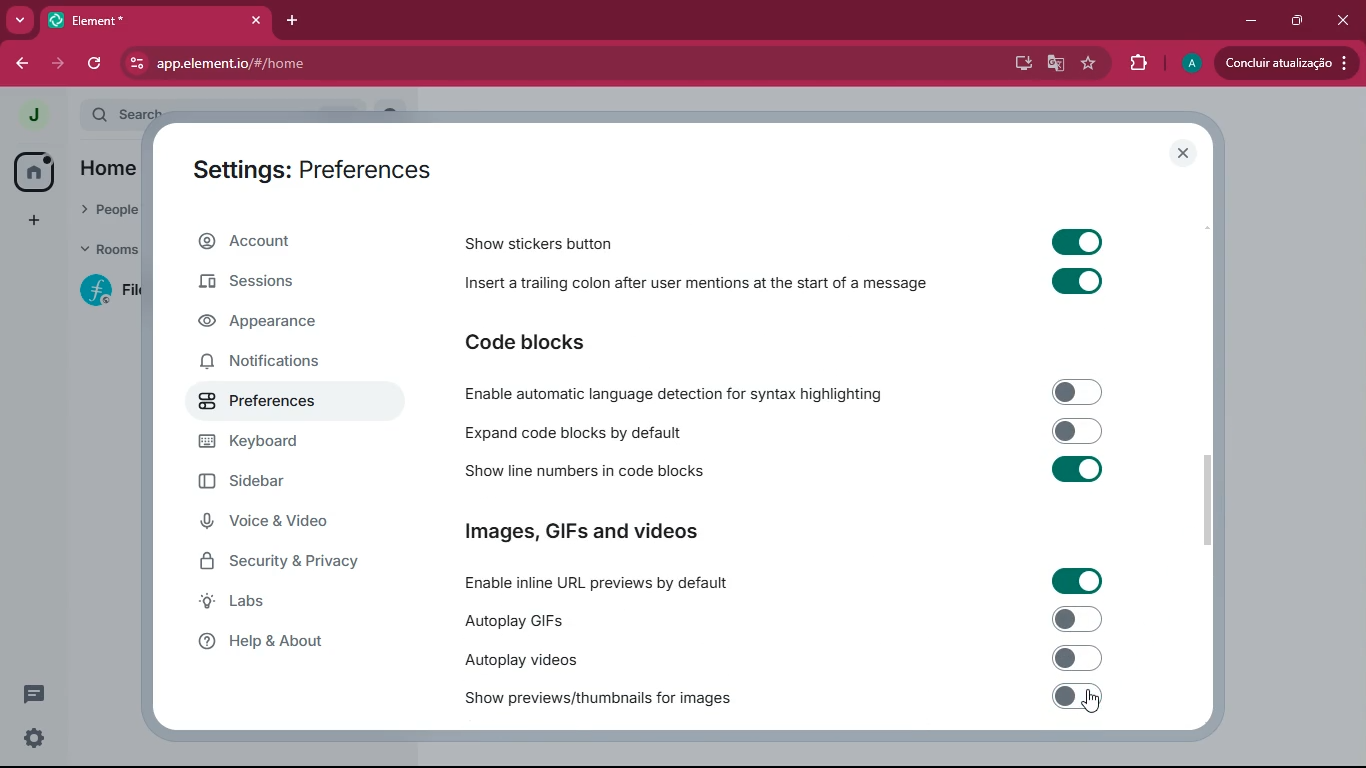  I want to click on comments, so click(37, 692).